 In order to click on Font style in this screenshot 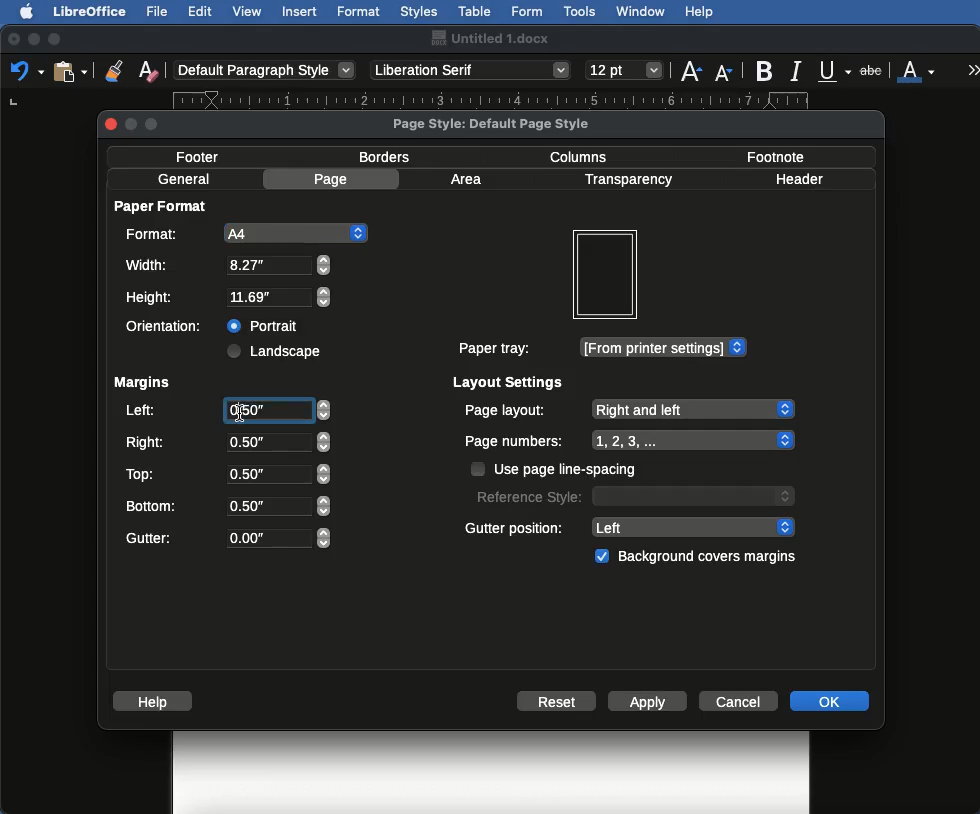, I will do `click(472, 70)`.